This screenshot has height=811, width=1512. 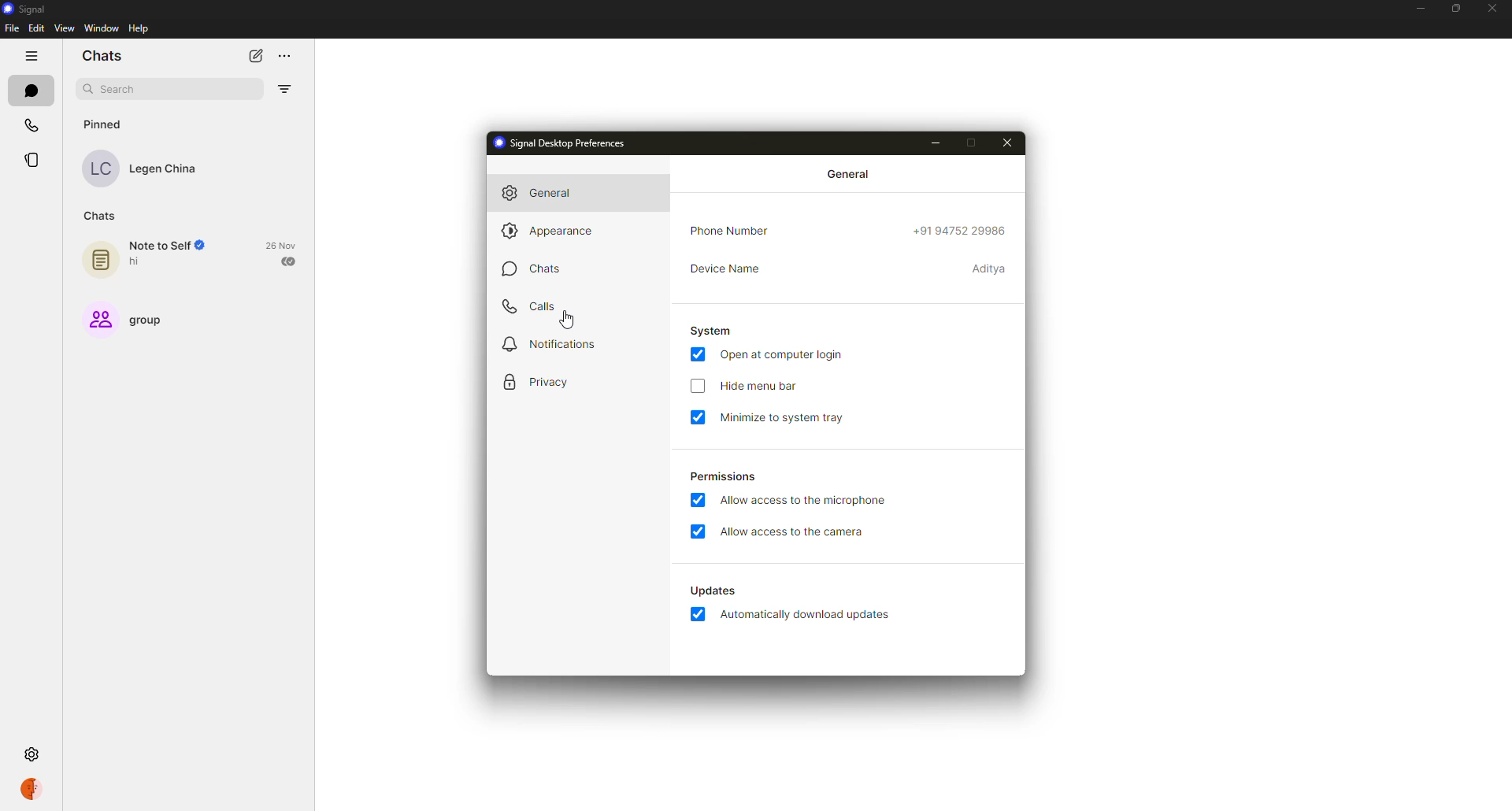 I want to click on general, so click(x=543, y=192).